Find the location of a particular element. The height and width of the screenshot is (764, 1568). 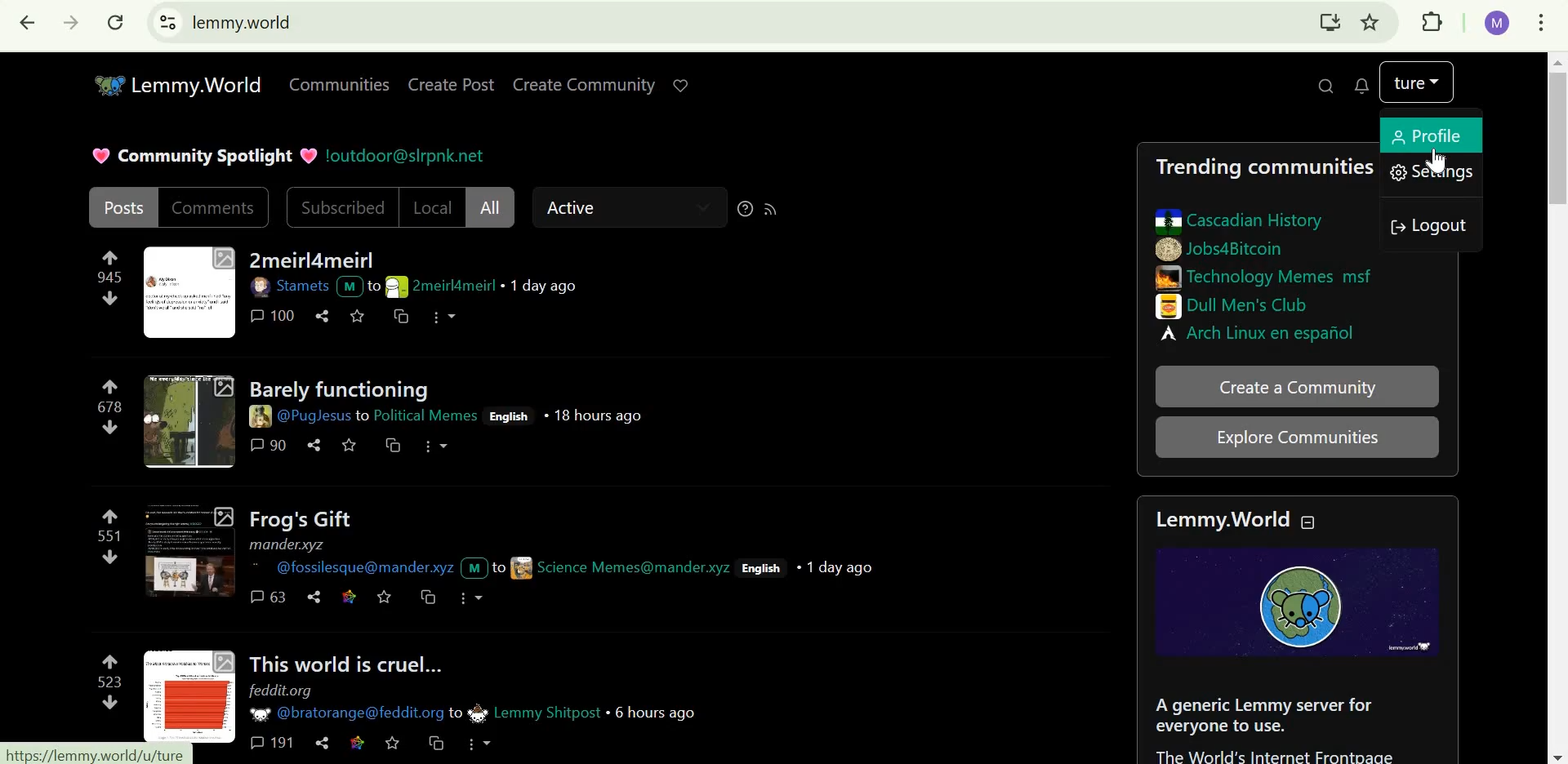

cascadian history is located at coordinates (1240, 221).